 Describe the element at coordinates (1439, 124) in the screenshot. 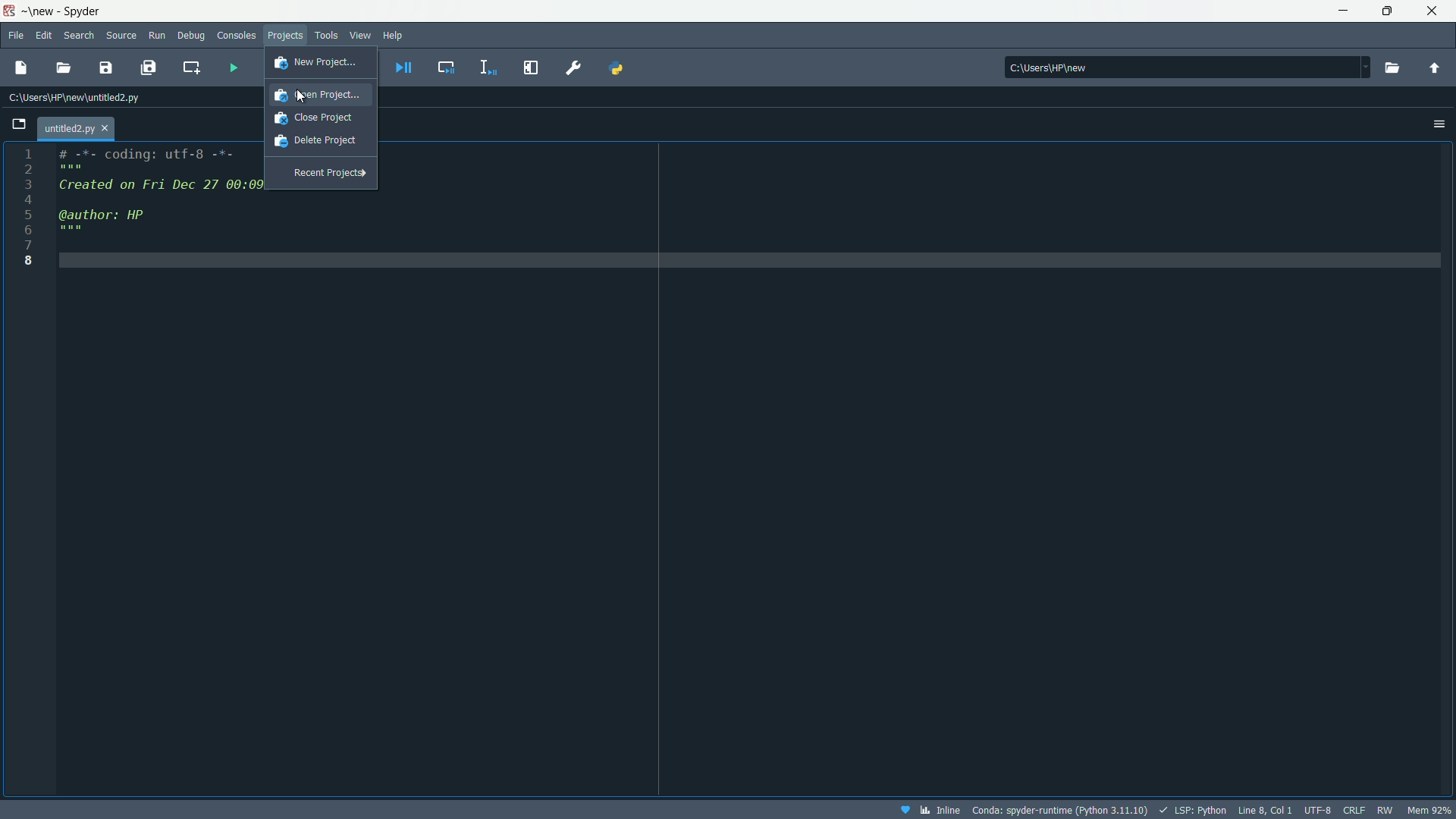

I see `options` at that location.